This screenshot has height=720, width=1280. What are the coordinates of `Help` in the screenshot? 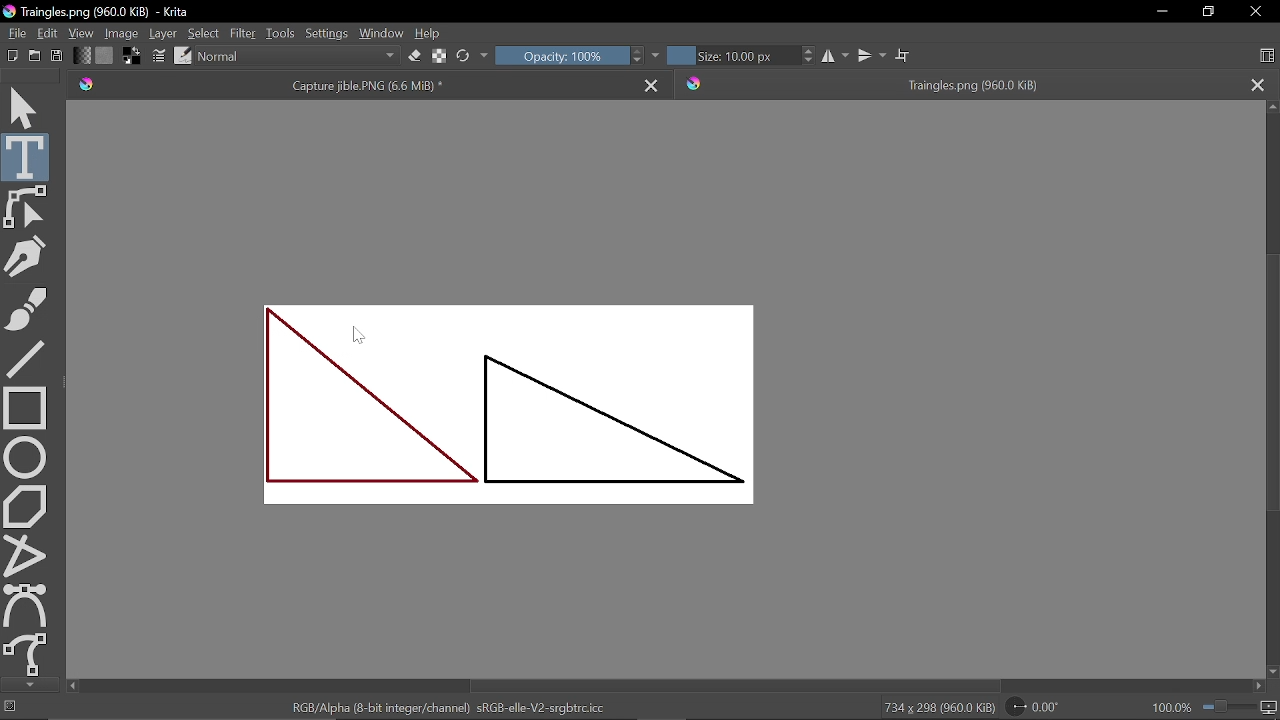 It's located at (430, 35).